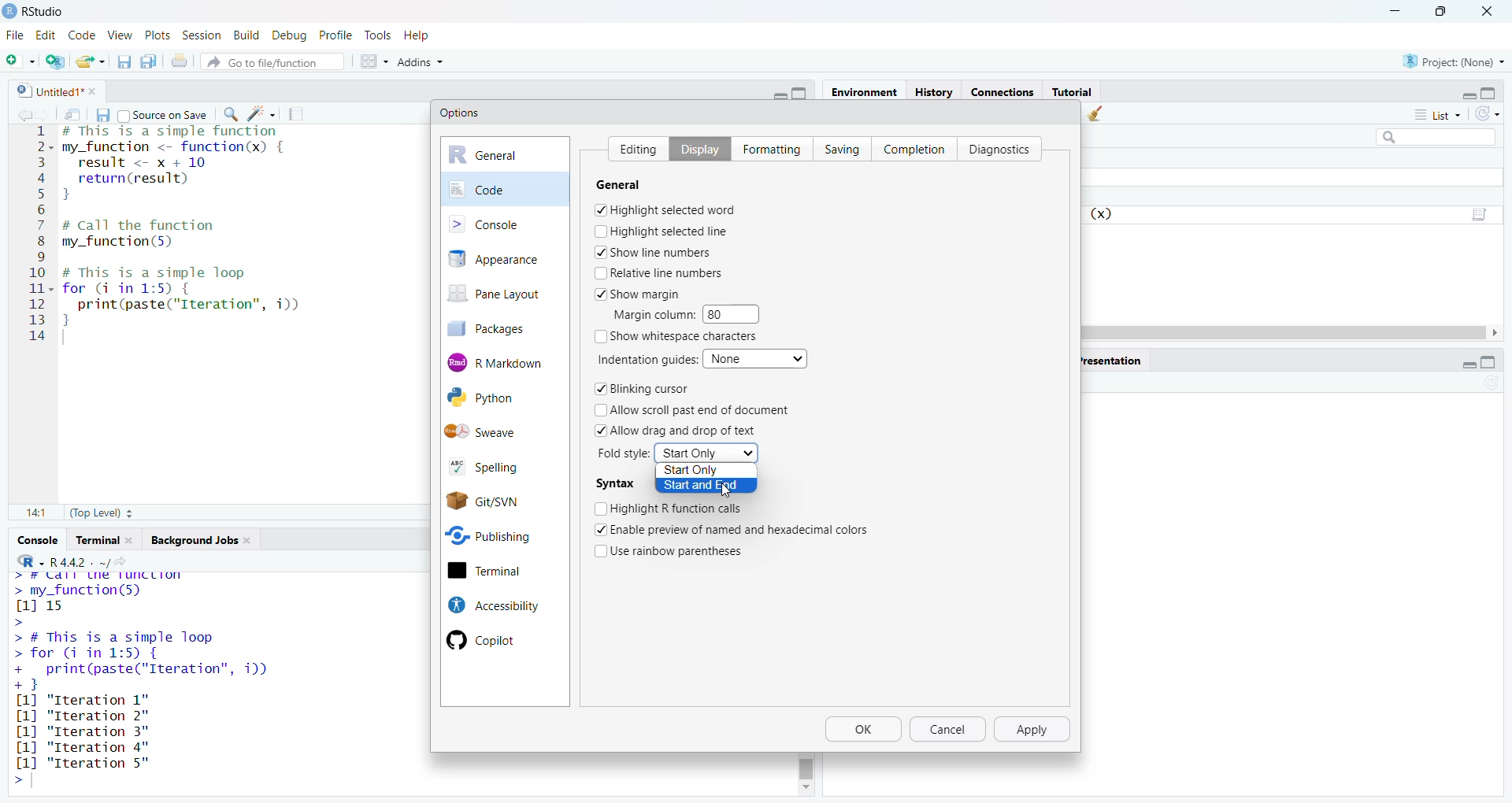  Describe the element at coordinates (641, 390) in the screenshot. I see `blinking cursor` at that location.